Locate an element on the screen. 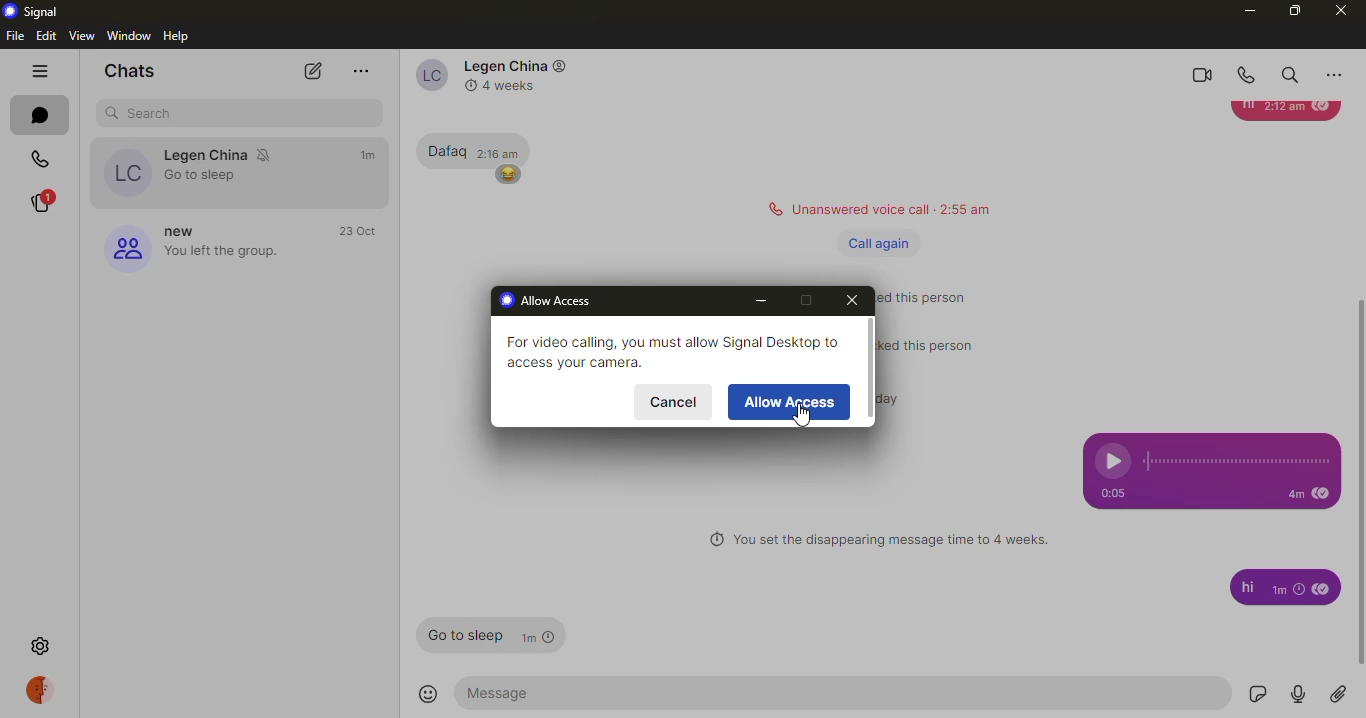  search is located at coordinates (1290, 74).